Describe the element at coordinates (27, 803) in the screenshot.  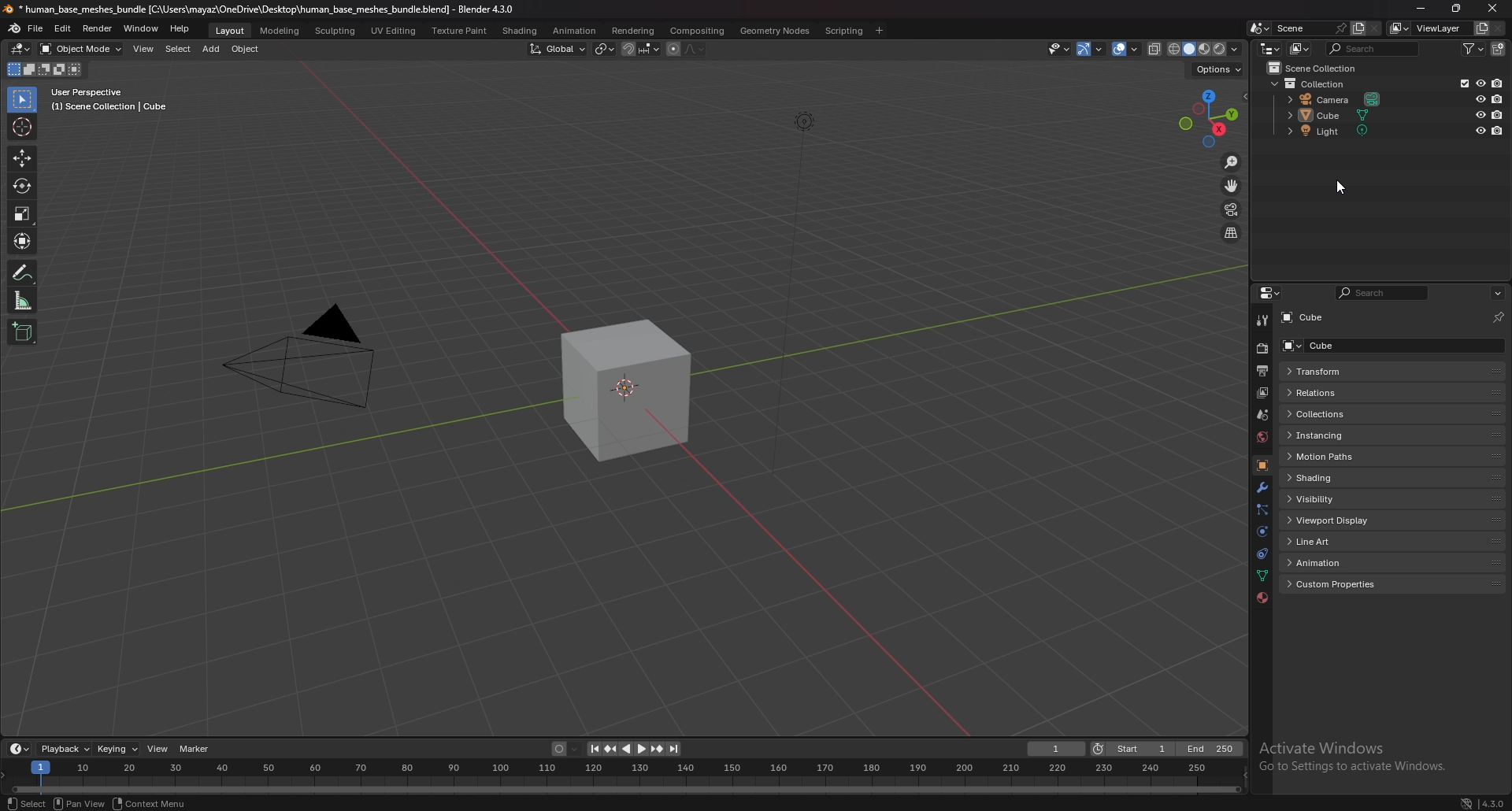
I see `select` at that location.